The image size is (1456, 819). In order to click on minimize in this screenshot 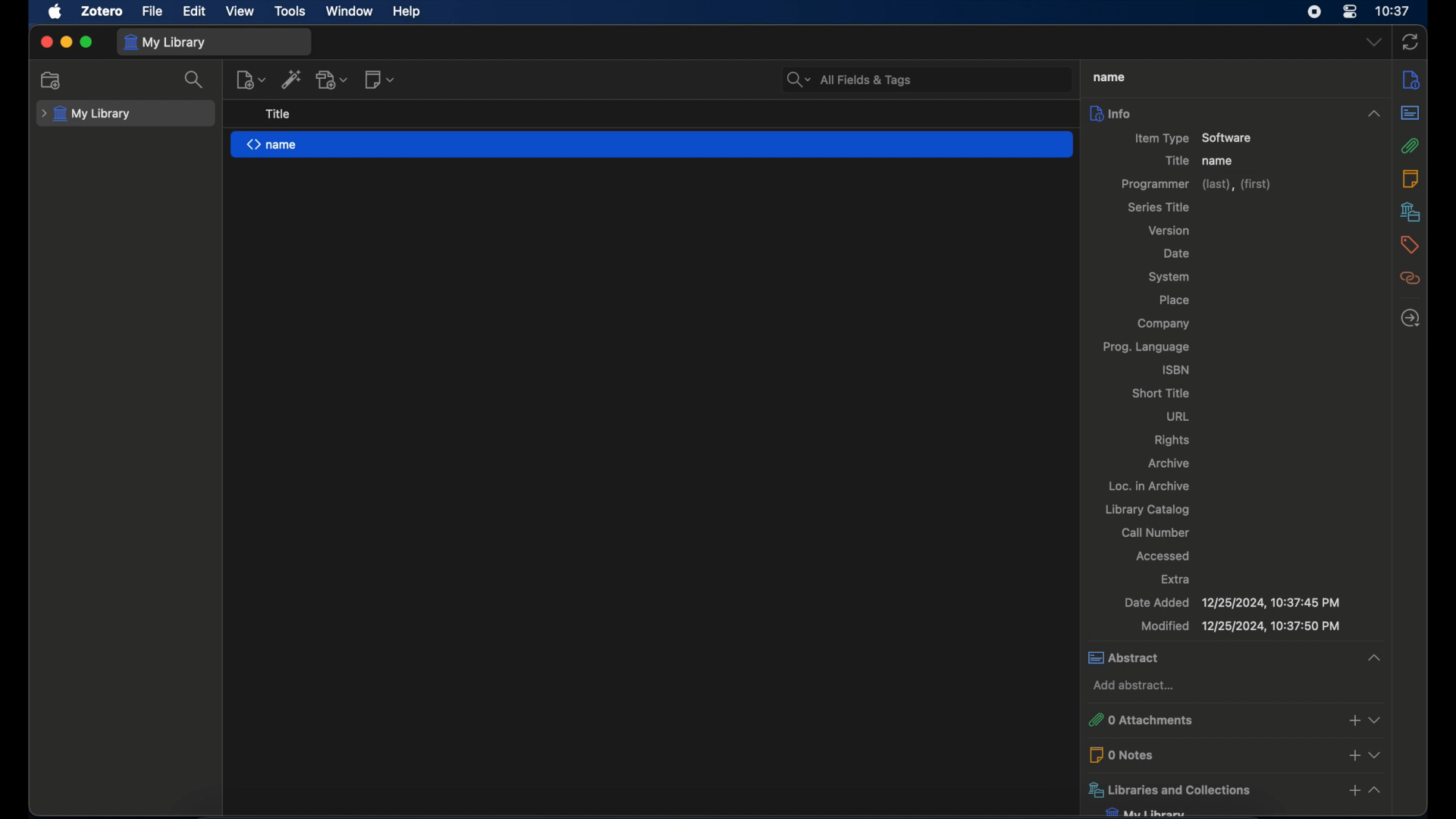, I will do `click(65, 43)`.